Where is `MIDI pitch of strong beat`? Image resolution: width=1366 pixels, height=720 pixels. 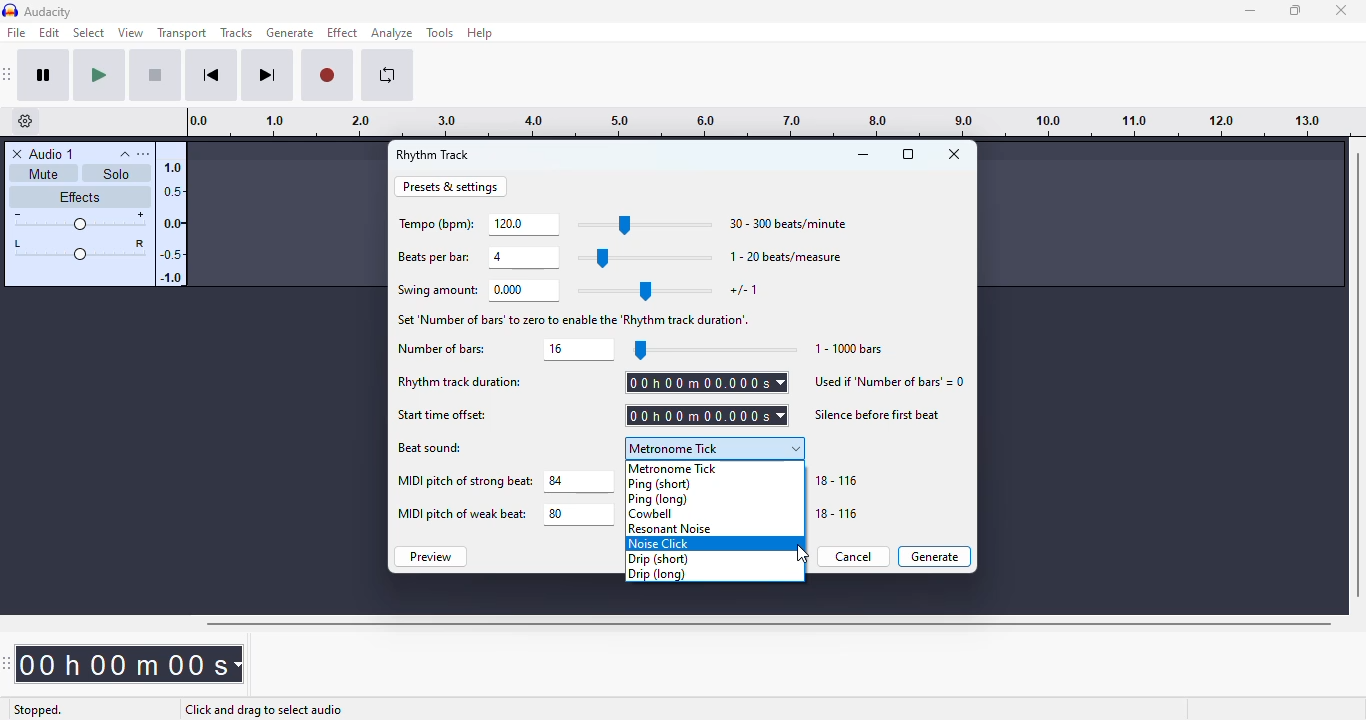
MIDI pitch of strong beat is located at coordinates (465, 481).